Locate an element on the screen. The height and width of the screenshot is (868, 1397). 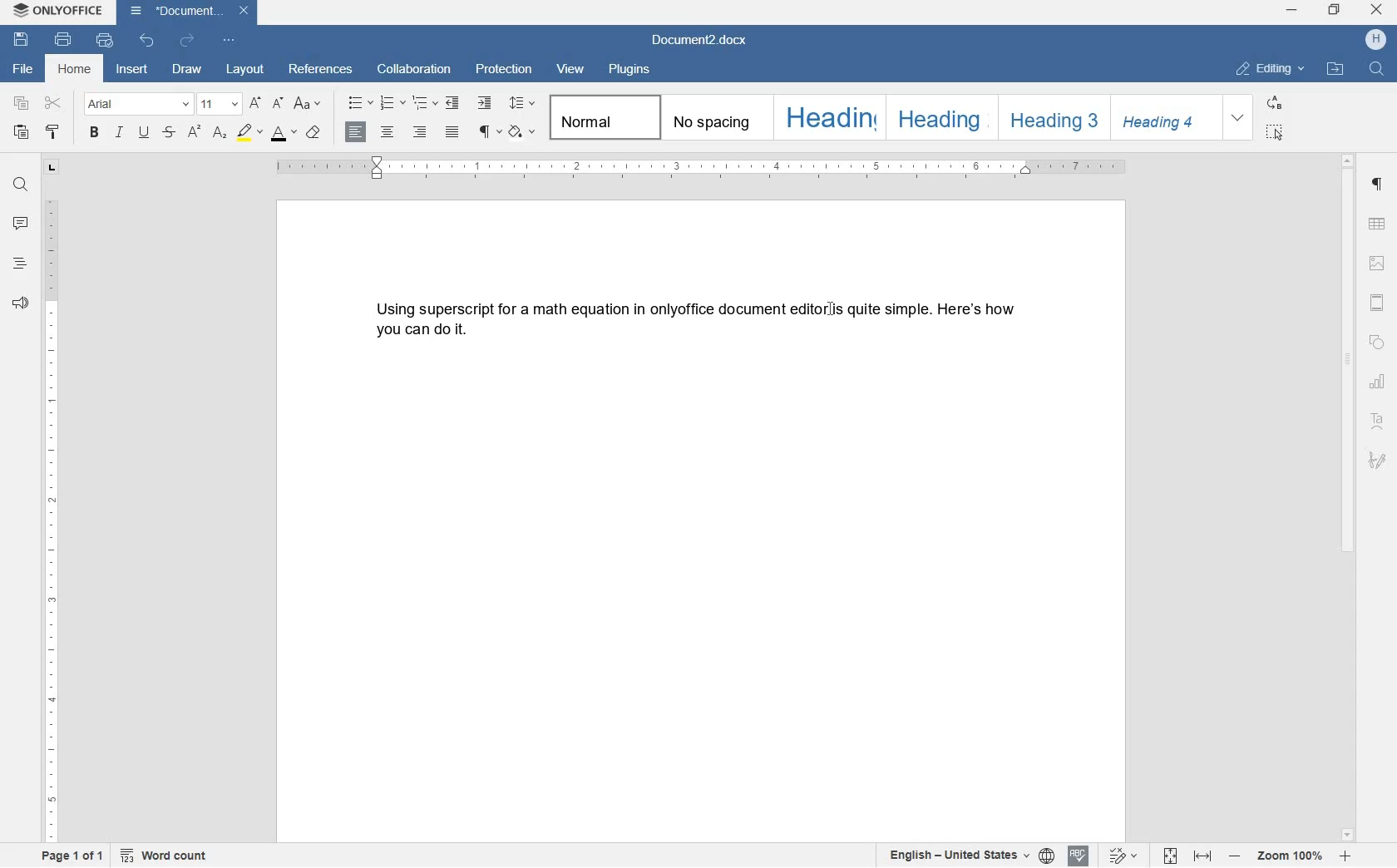
OPEN FILE LOCATION is located at coordinates (1337, 72).